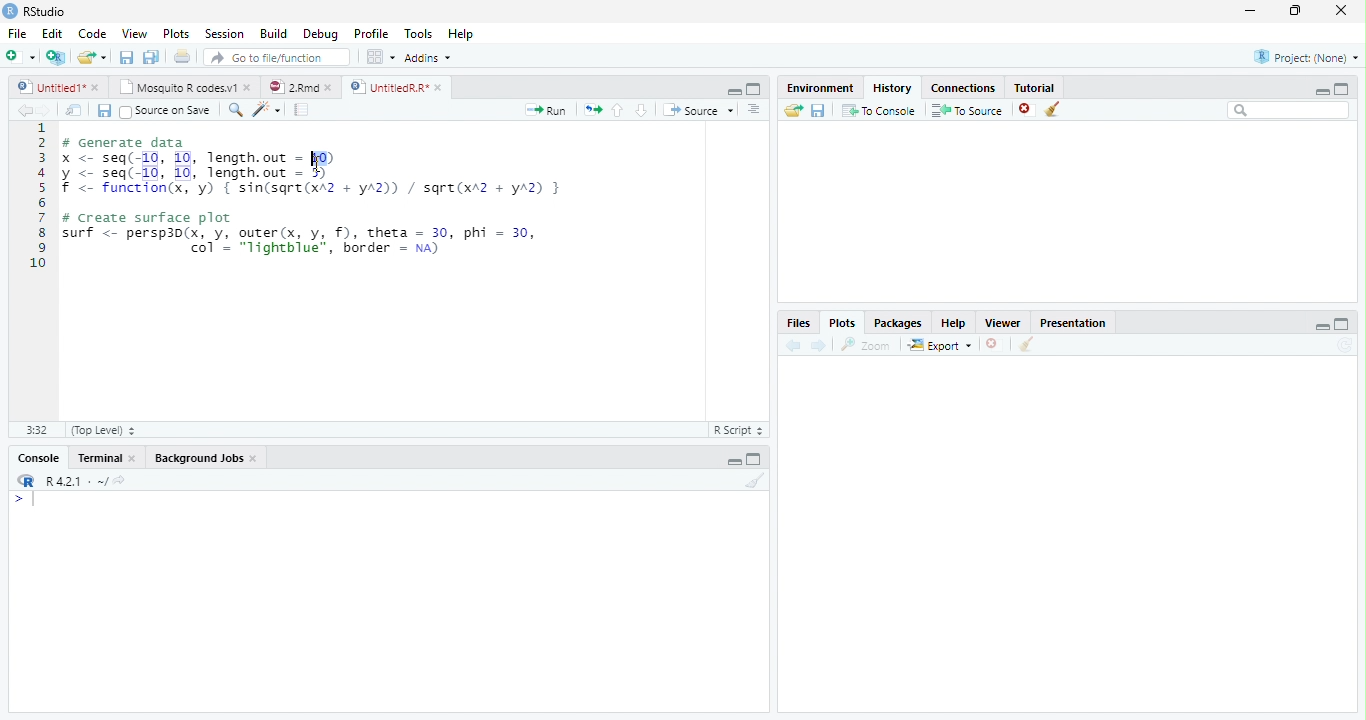 This screenshot has height=720, width=1366. I want to click on Save current document, so click(103, 110).